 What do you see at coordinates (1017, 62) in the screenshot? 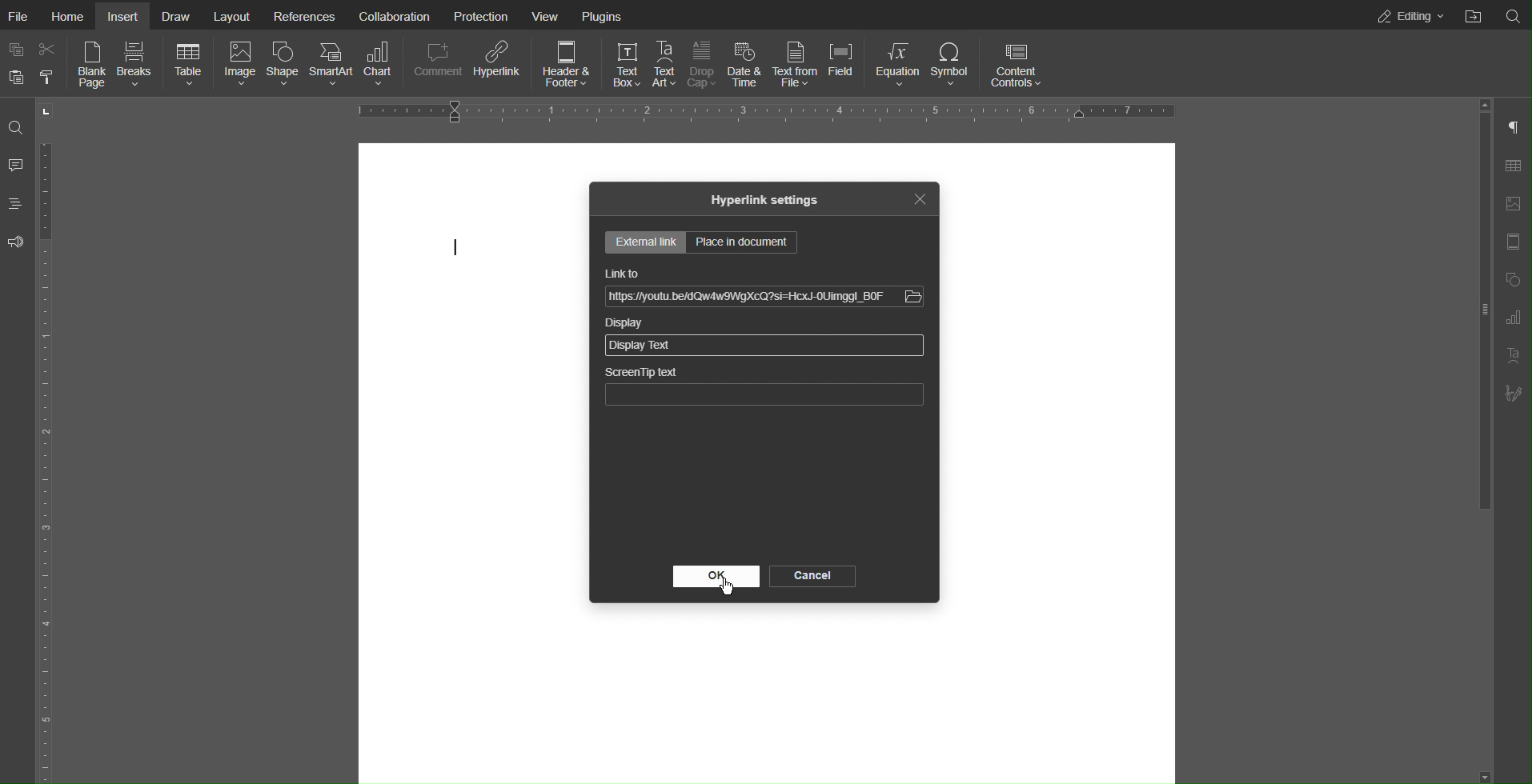
I see `Content Controls` at bounding box center [1017, 62].